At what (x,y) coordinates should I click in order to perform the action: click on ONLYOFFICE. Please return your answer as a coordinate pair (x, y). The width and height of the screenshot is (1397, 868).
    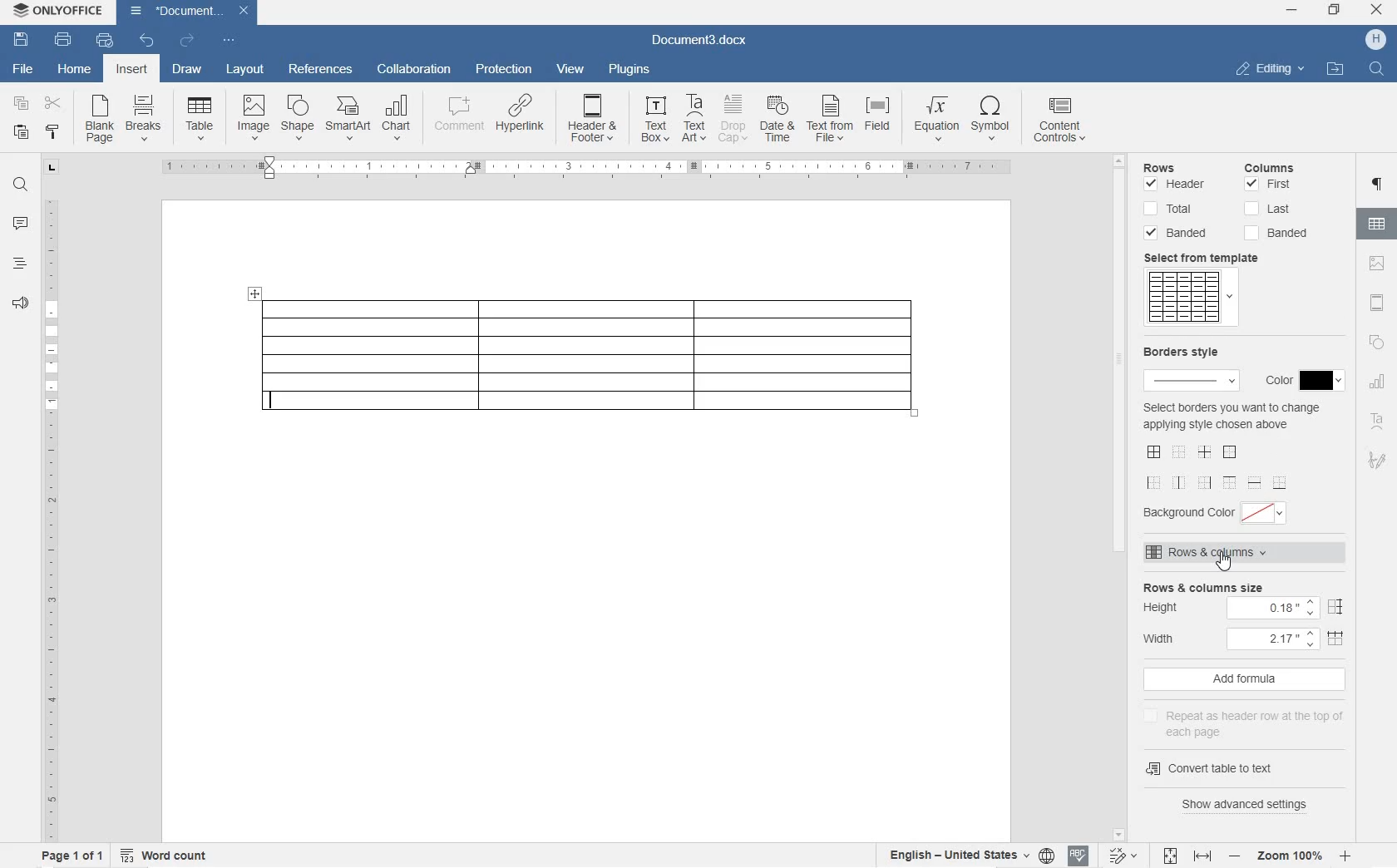
    Looking at the image, I should click on (58, 12).